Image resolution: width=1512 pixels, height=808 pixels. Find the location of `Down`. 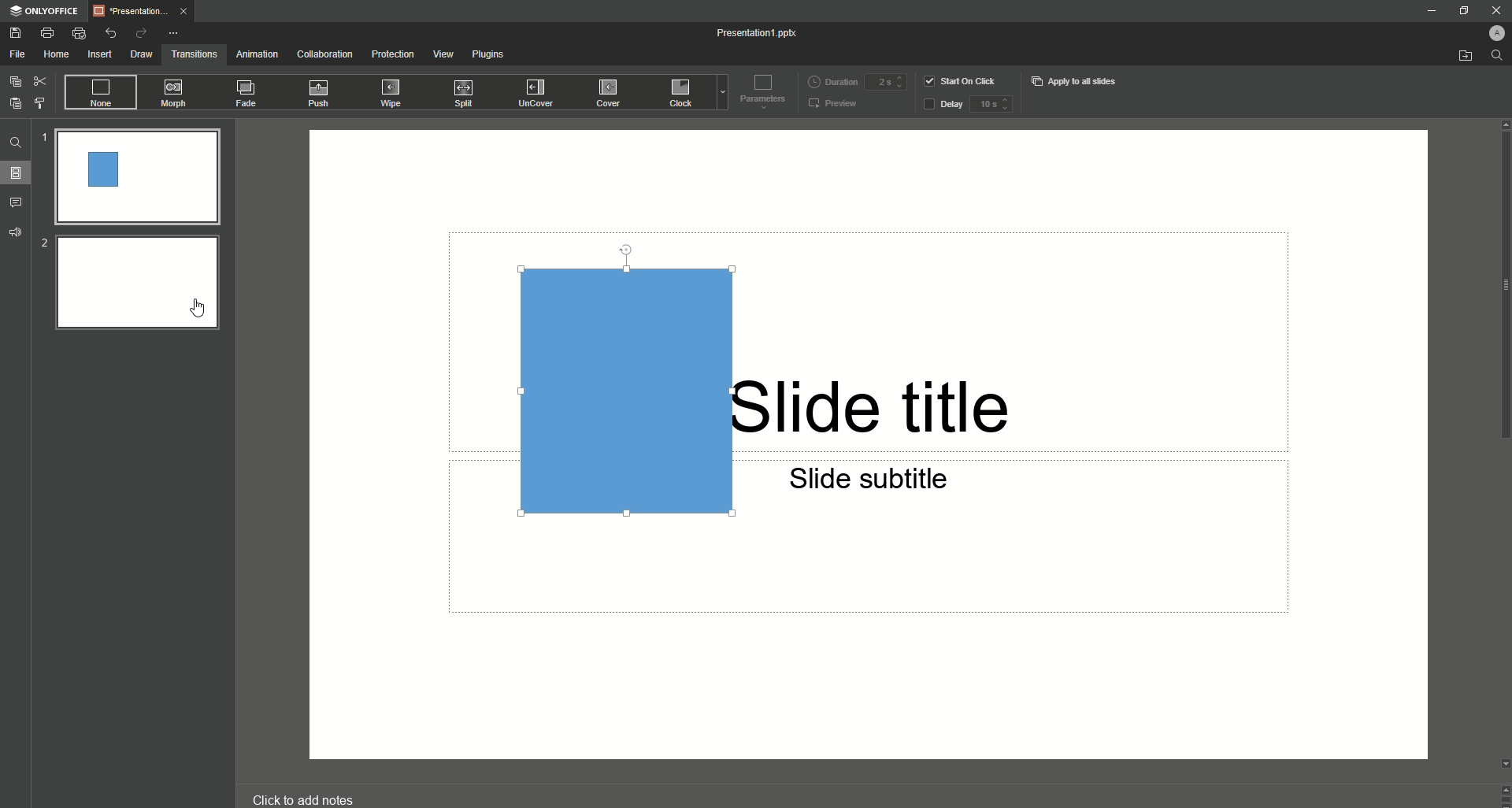

Down is located at coordinates (1503, 762).